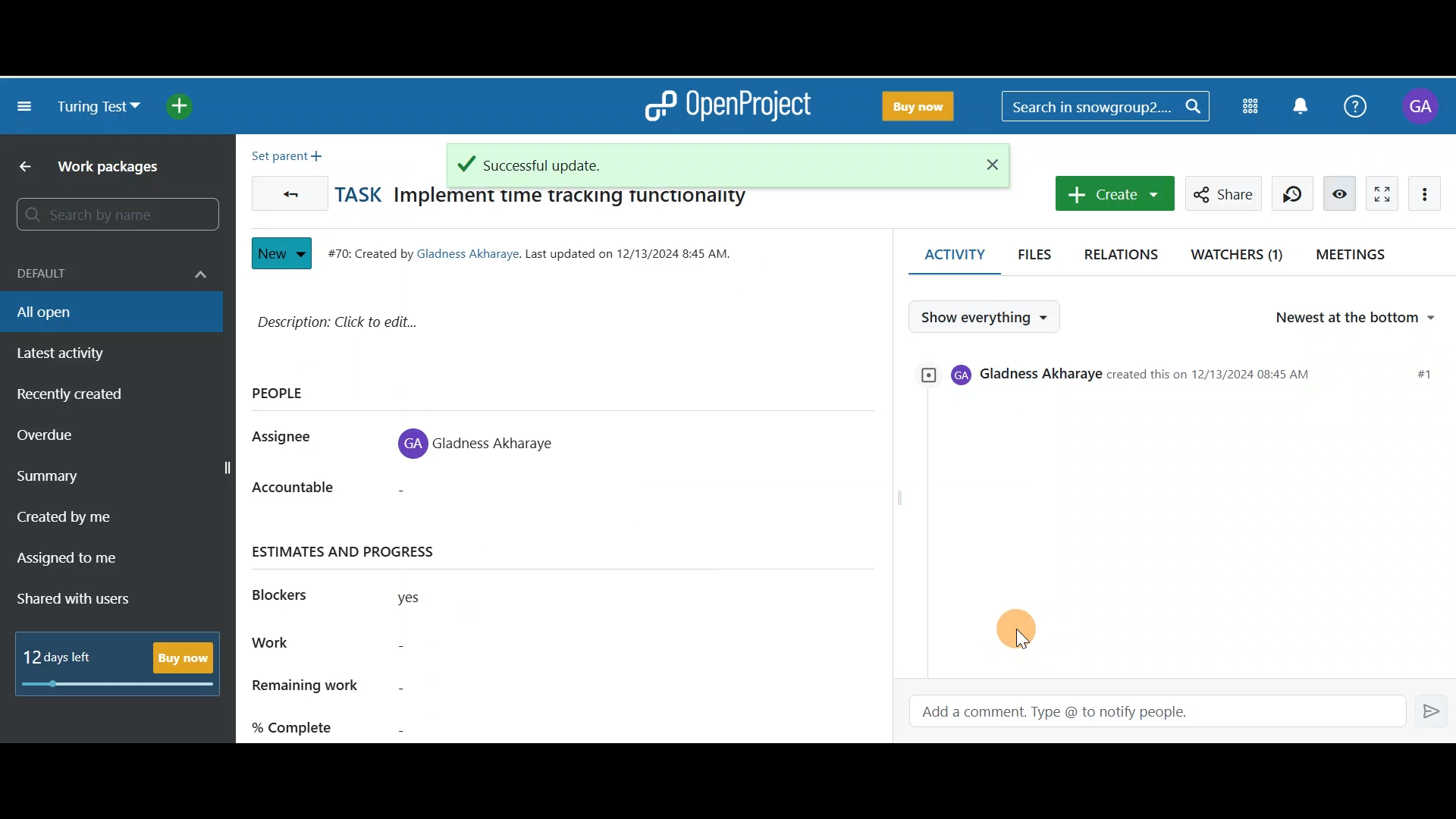 The height and width of the screenshot is (819, 1456). What do you see at coordinates (115, 170) in the screenshot?
I see `Work packages` at bounding box center [115, 170].